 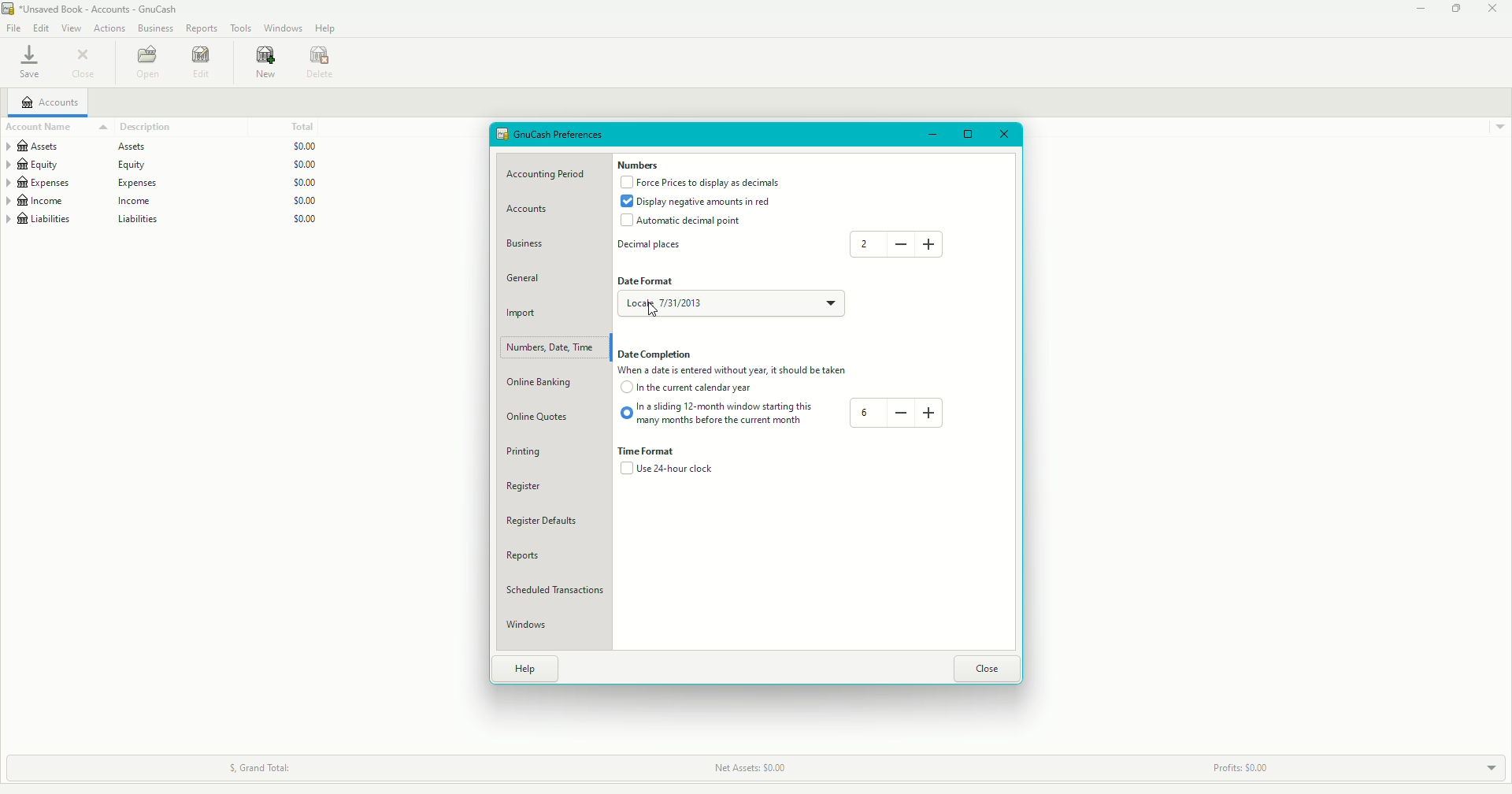 What do you see at coordinates (523, 314) in the screenshot?
I see `Import` at bounding box center [523, 314].